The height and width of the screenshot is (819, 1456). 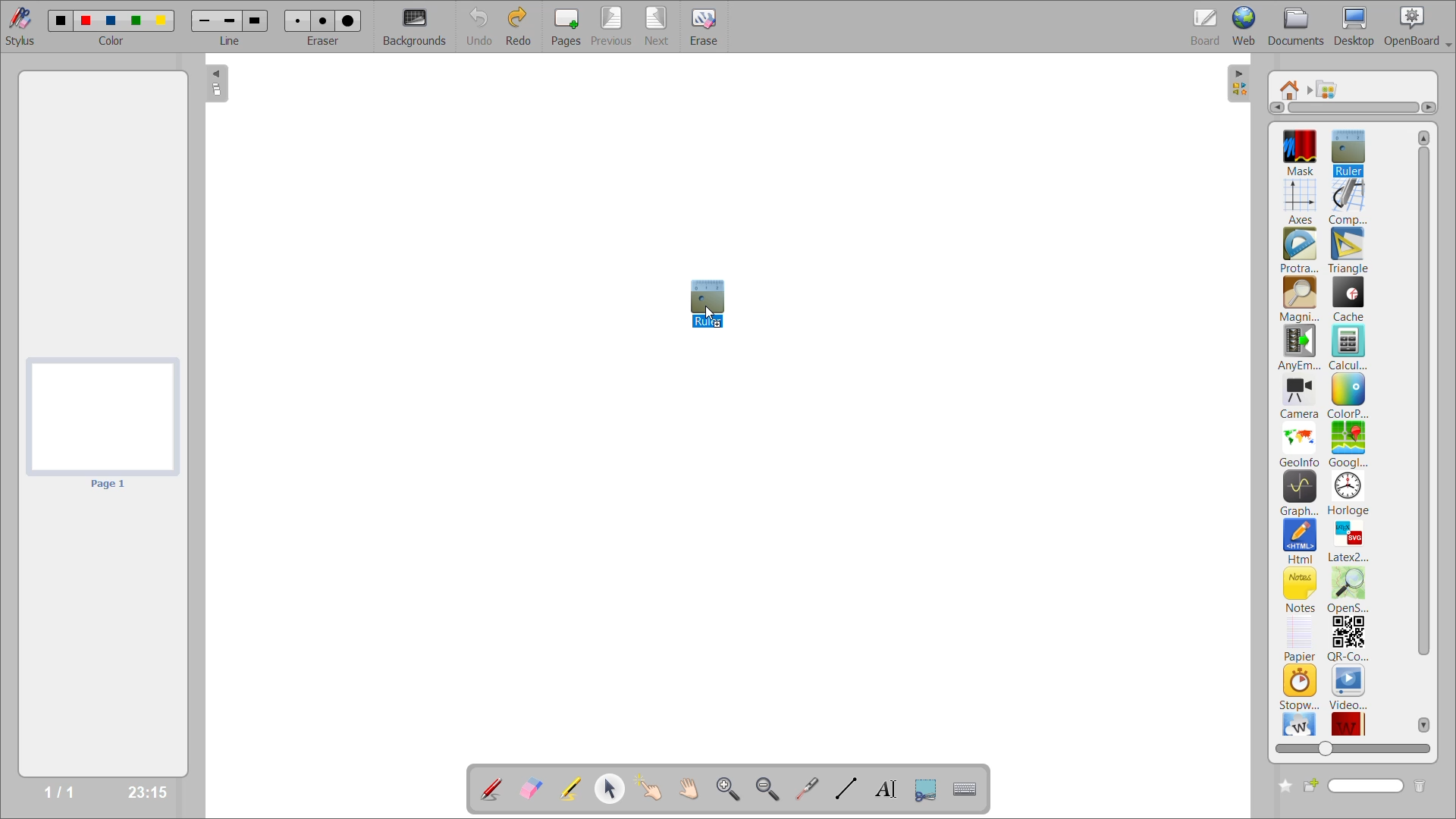 I want to click on annotate document, so click(x=489, y=787).